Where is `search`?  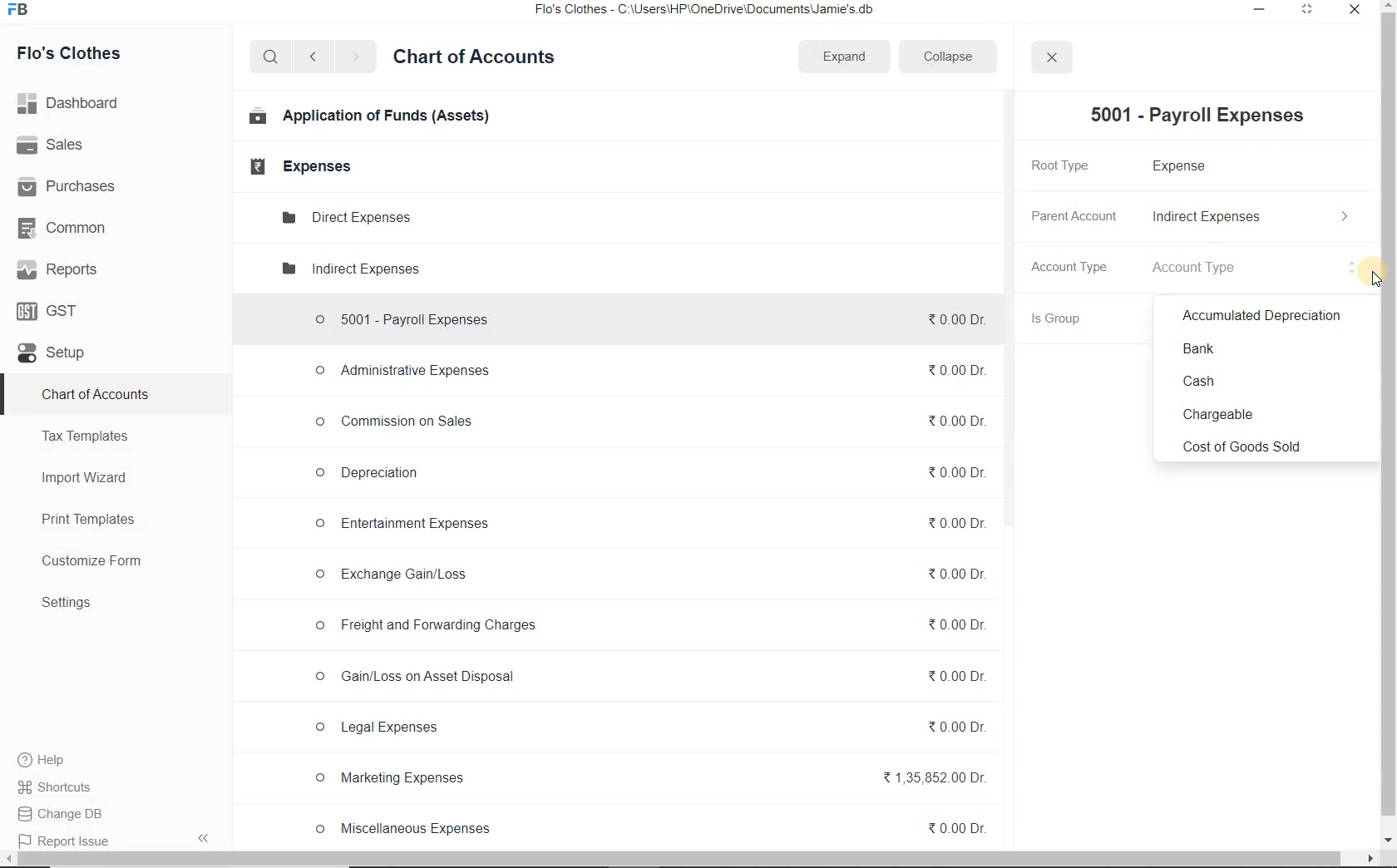 search is located at coordinates (268, 57).